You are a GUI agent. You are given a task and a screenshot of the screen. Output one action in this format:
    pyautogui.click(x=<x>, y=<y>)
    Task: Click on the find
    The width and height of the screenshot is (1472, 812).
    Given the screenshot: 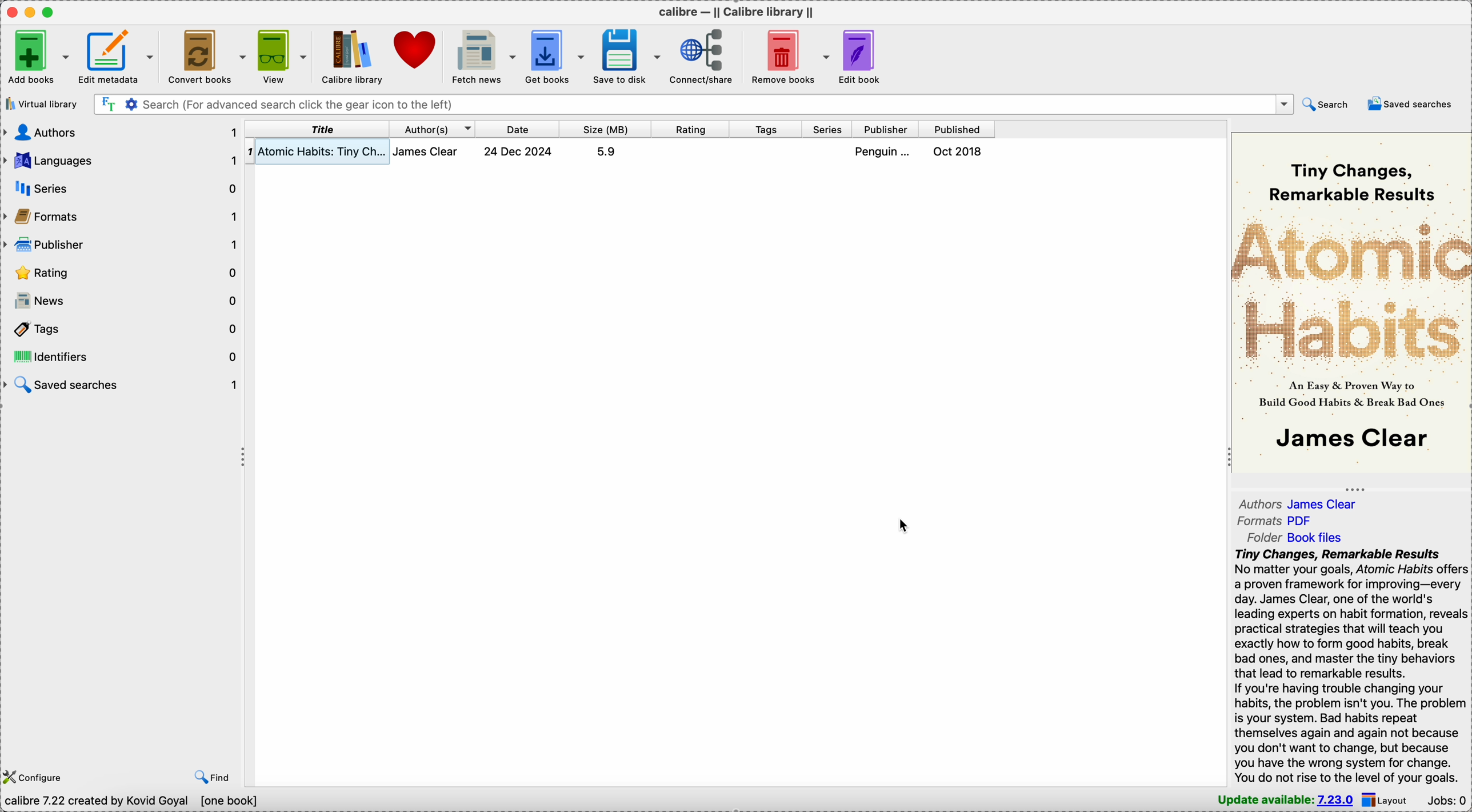 What is the action you would take?
    pyautogui.click(x=213, y=775)
    